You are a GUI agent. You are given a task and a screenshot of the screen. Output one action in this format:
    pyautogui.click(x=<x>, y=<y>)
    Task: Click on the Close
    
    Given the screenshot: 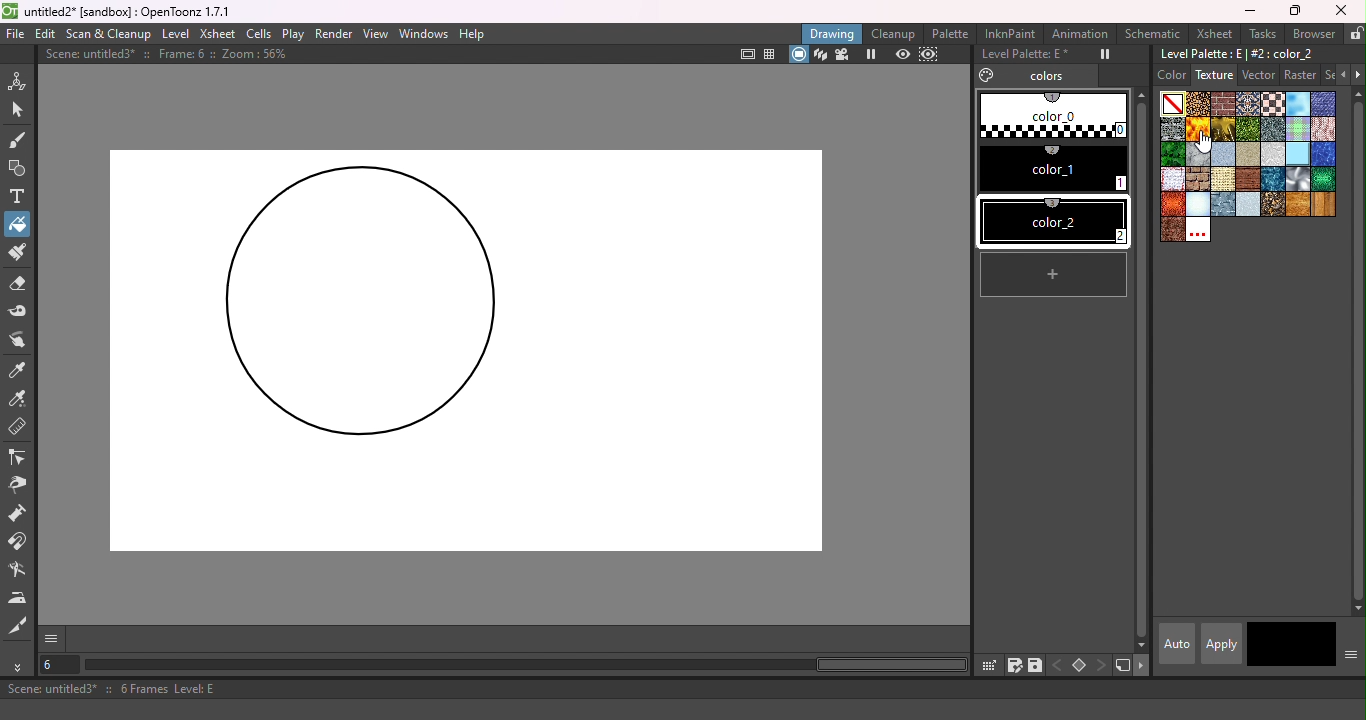 What is the action you would take?
    pyautogui.click(x=1344, y=12)
    